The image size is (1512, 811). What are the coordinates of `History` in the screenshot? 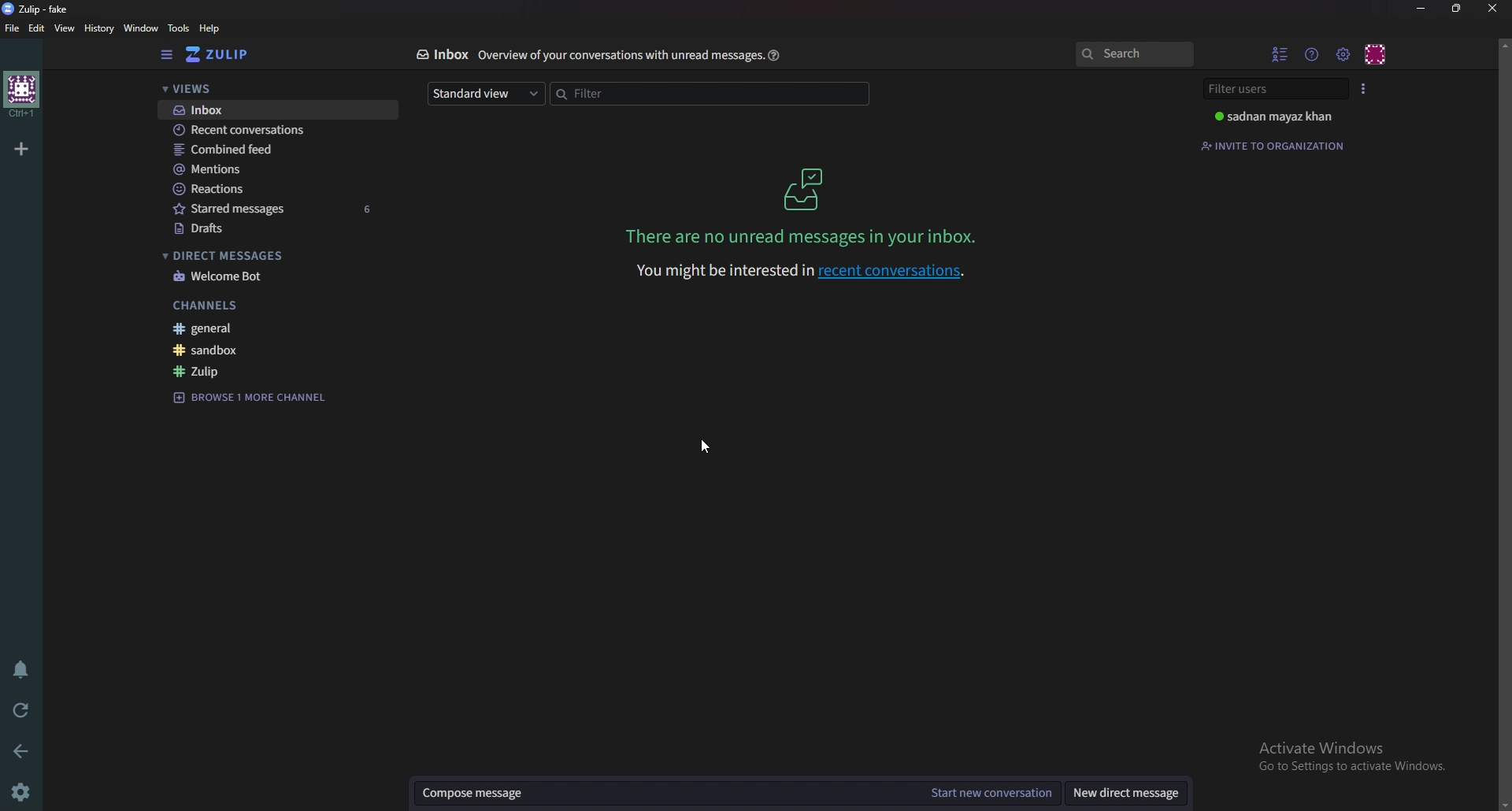 It's located at (98, 29).